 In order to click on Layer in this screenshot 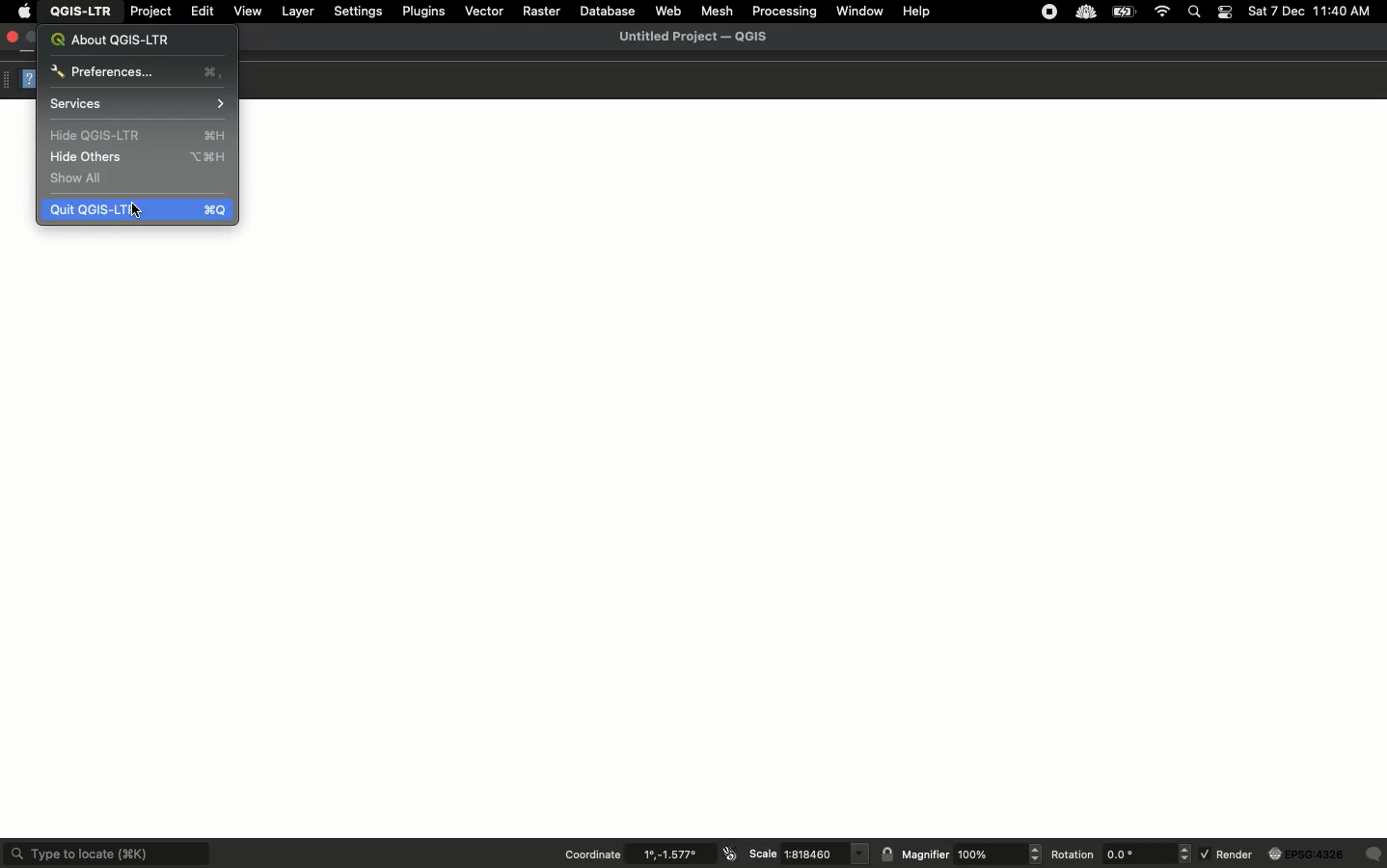, I will do `click(296, 13)`.